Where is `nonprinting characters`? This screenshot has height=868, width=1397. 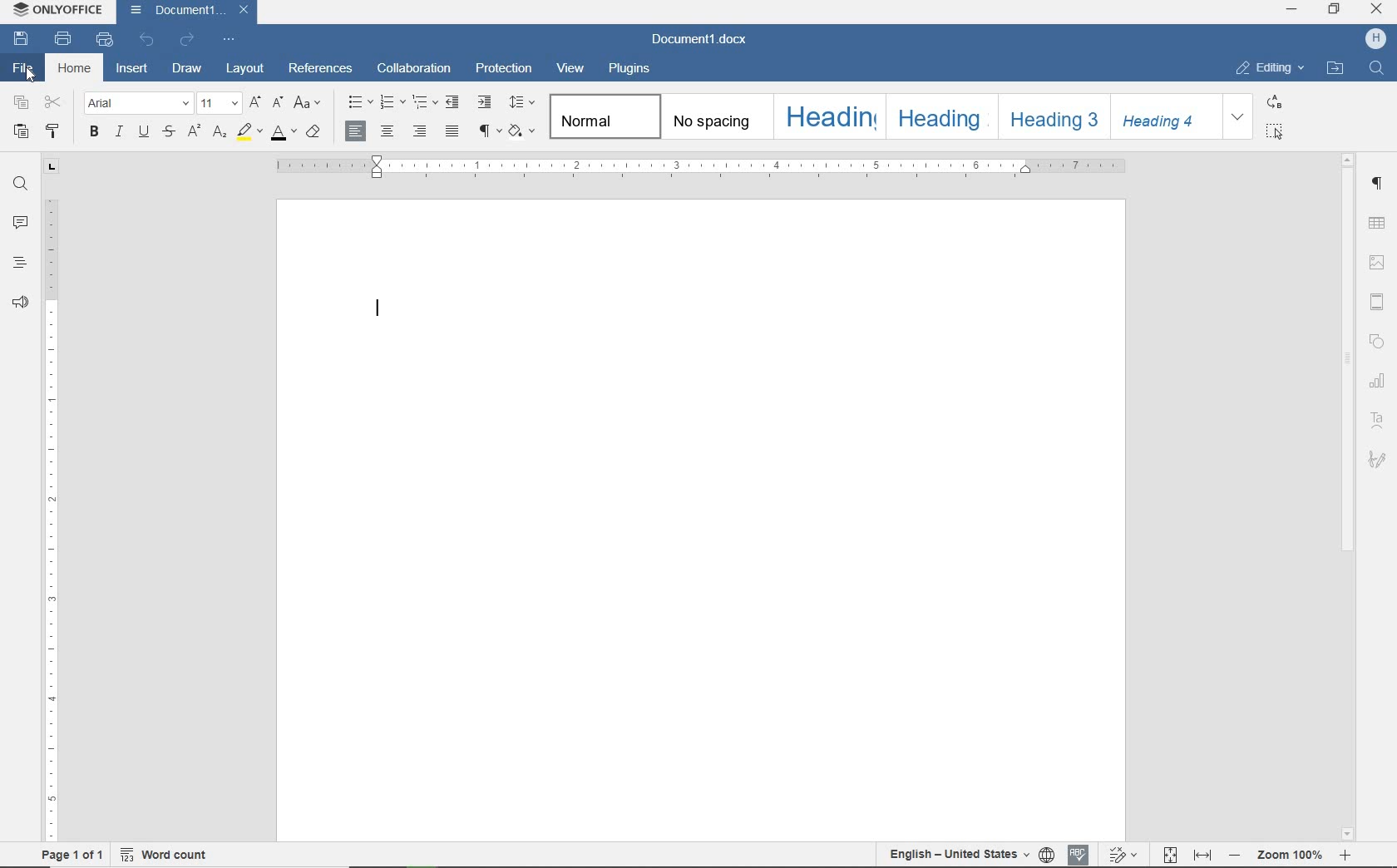 nonprinting characters is located at coordinates (486, 131).